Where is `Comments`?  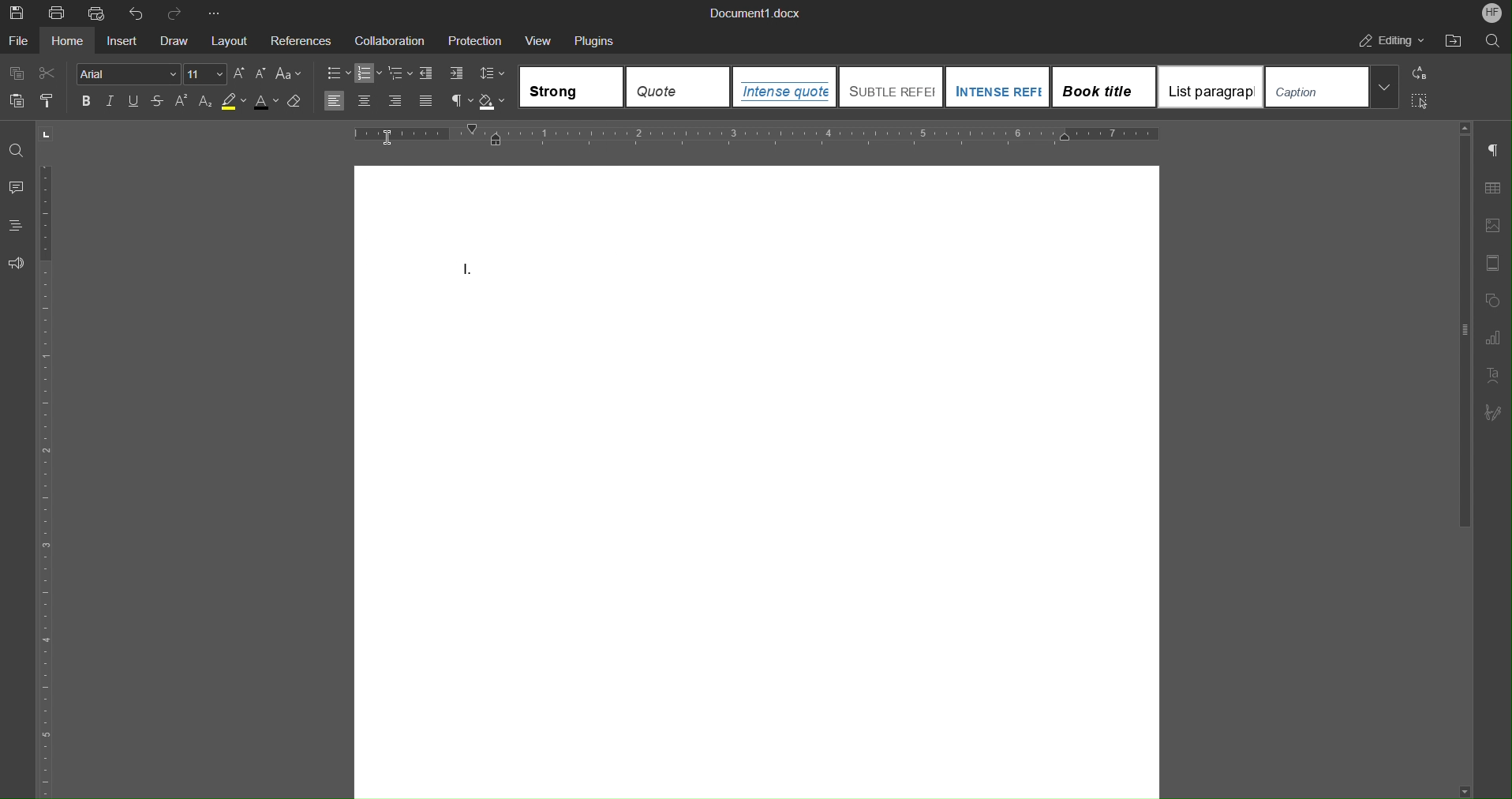
Comments is located at coordinates (18, 188).